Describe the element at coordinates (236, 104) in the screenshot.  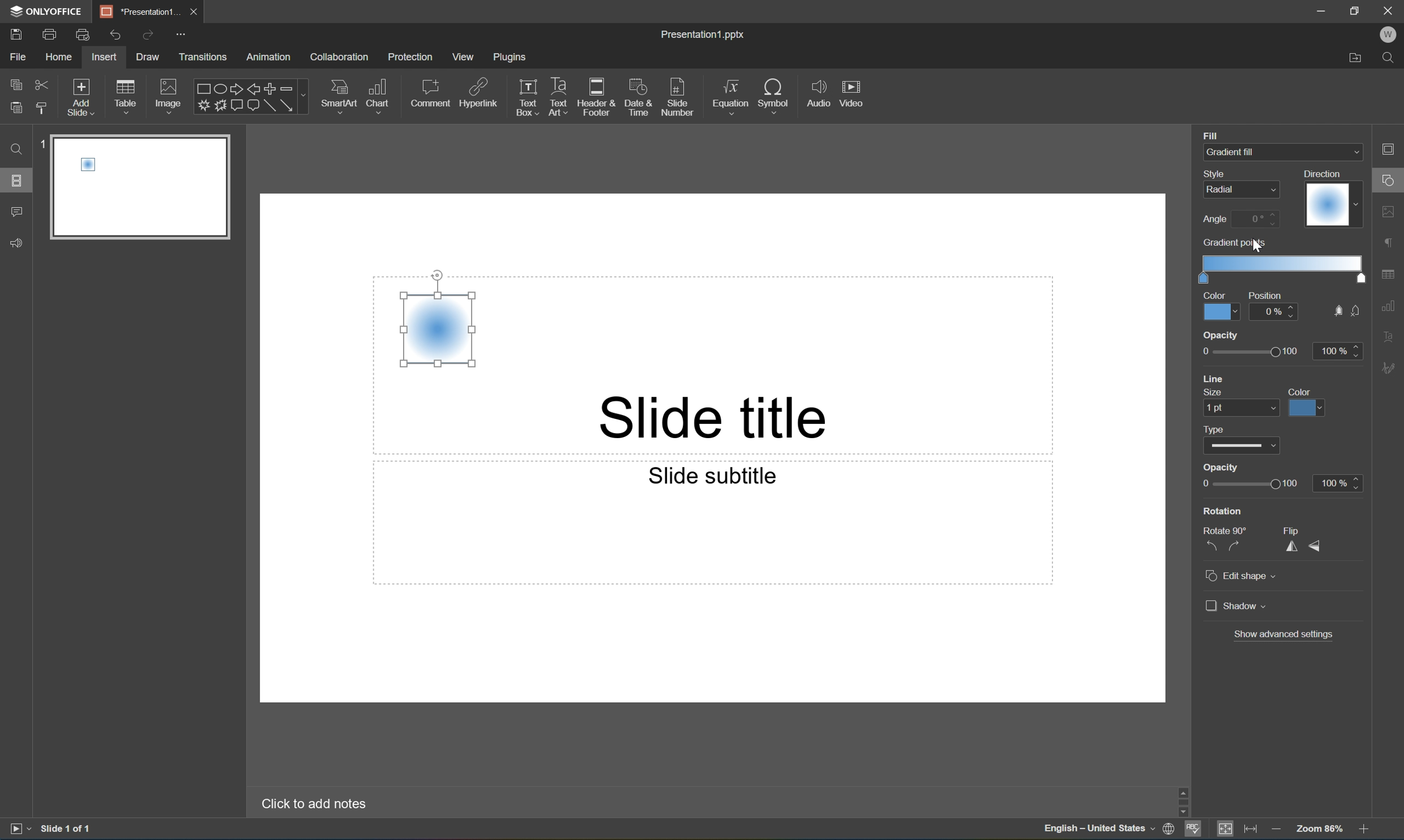
I see `` at that location.